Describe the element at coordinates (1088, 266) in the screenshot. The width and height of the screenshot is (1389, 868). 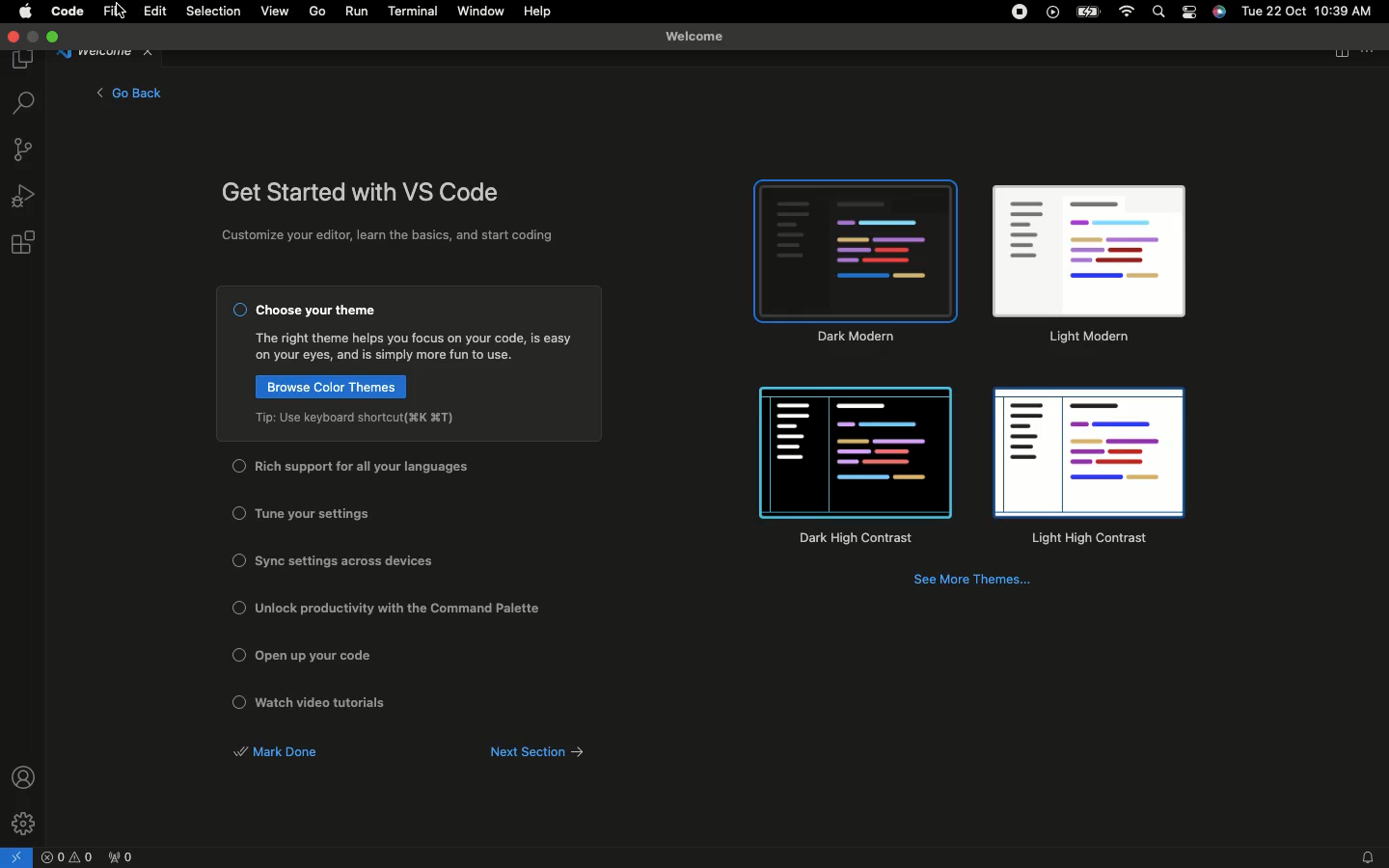
I see `Light modem` at that location.